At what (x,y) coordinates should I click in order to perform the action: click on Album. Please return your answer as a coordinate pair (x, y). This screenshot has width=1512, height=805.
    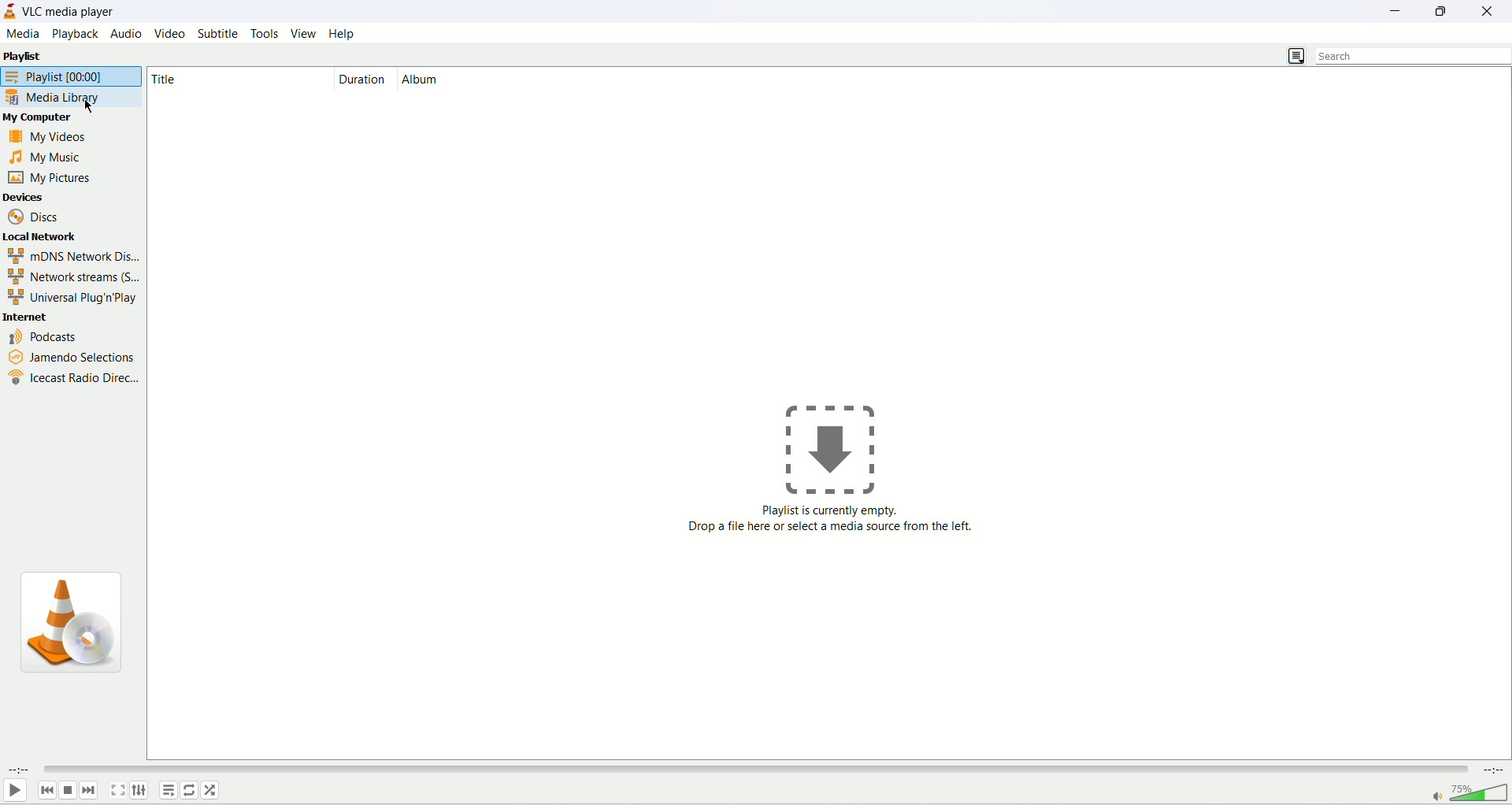
    Looking at the image, I should click on (436, 79).